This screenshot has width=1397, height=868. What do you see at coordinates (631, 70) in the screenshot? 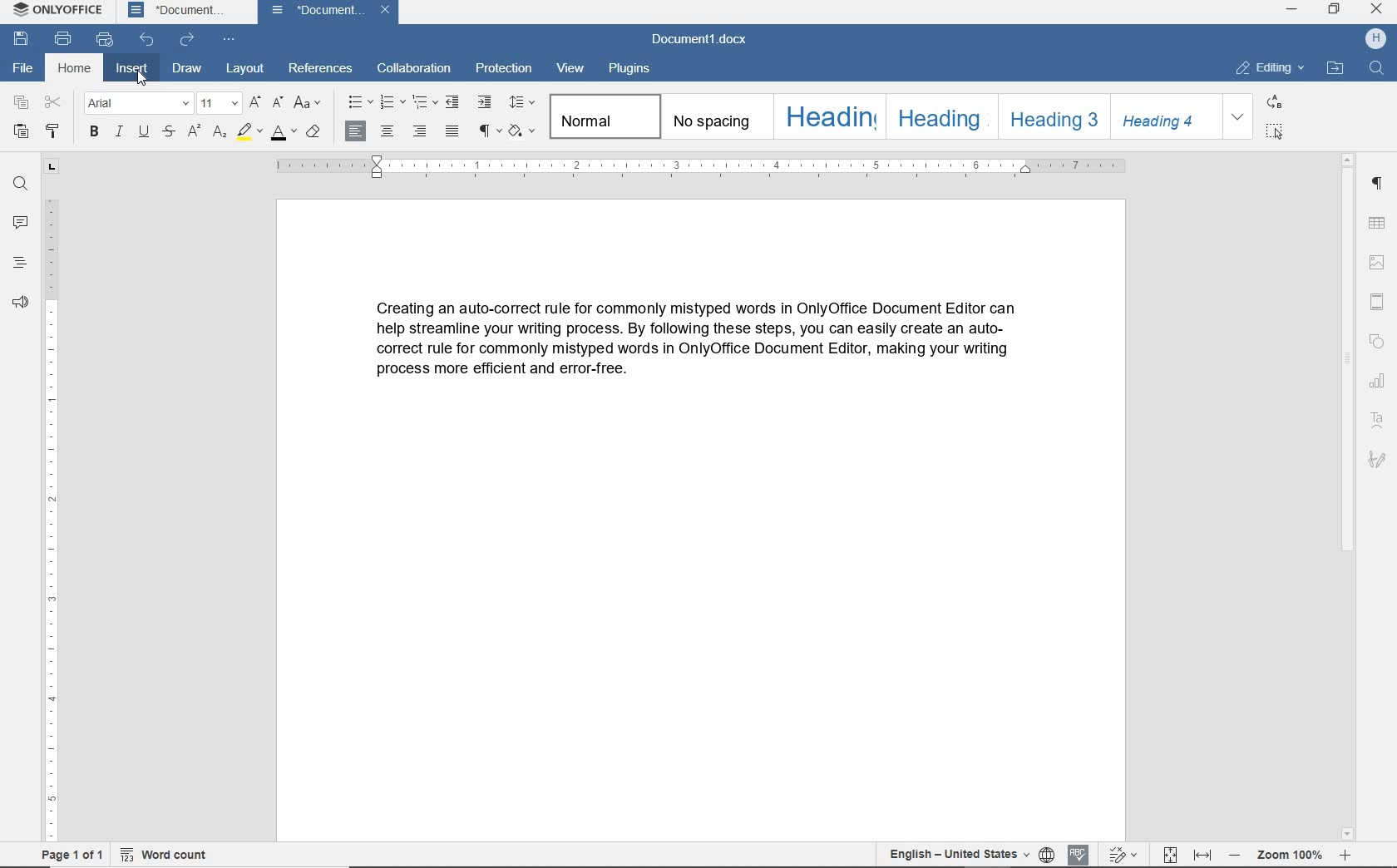
I see `plugins` at bounding box center [631, 70].